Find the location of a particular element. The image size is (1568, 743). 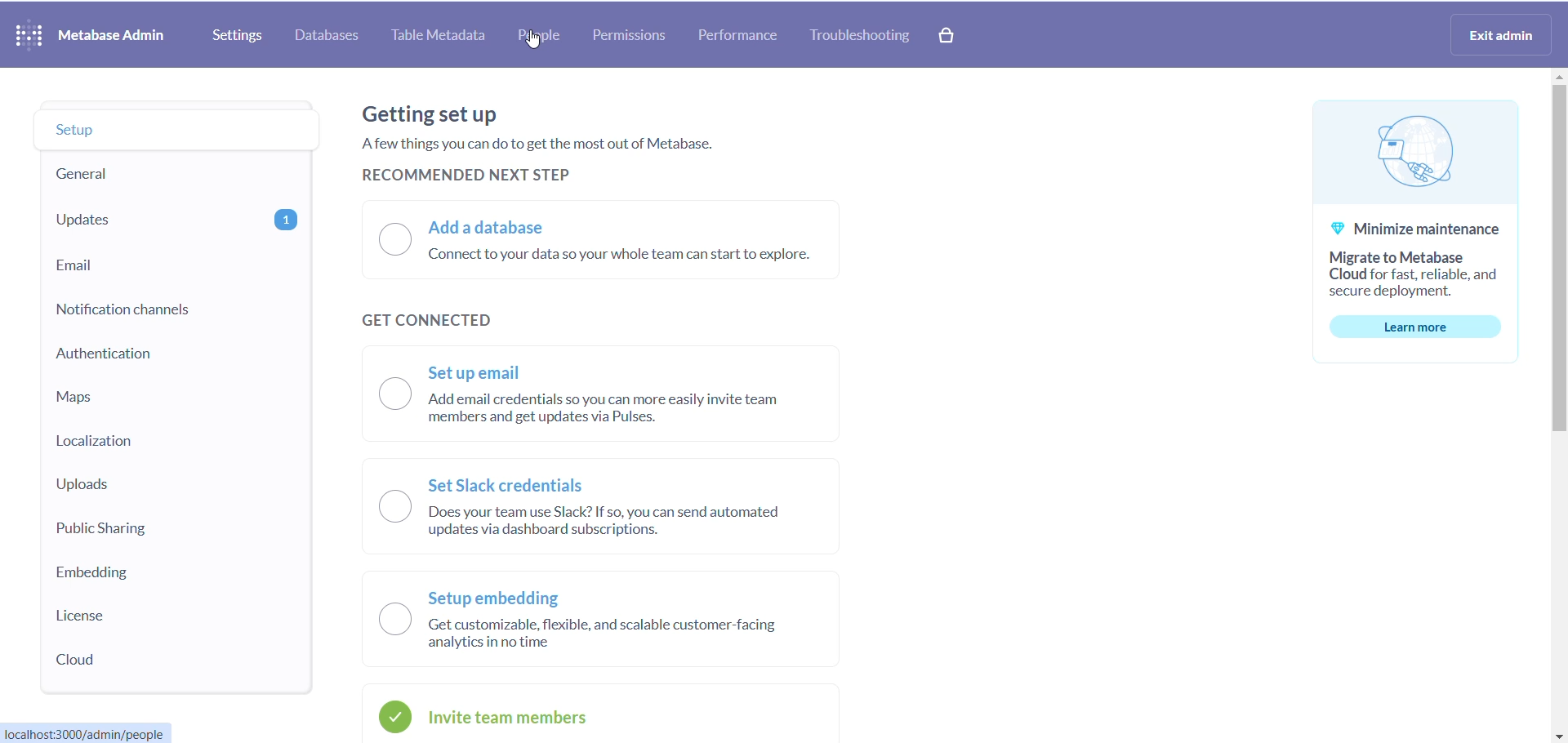

cursor is located at coordinates (536, 42).